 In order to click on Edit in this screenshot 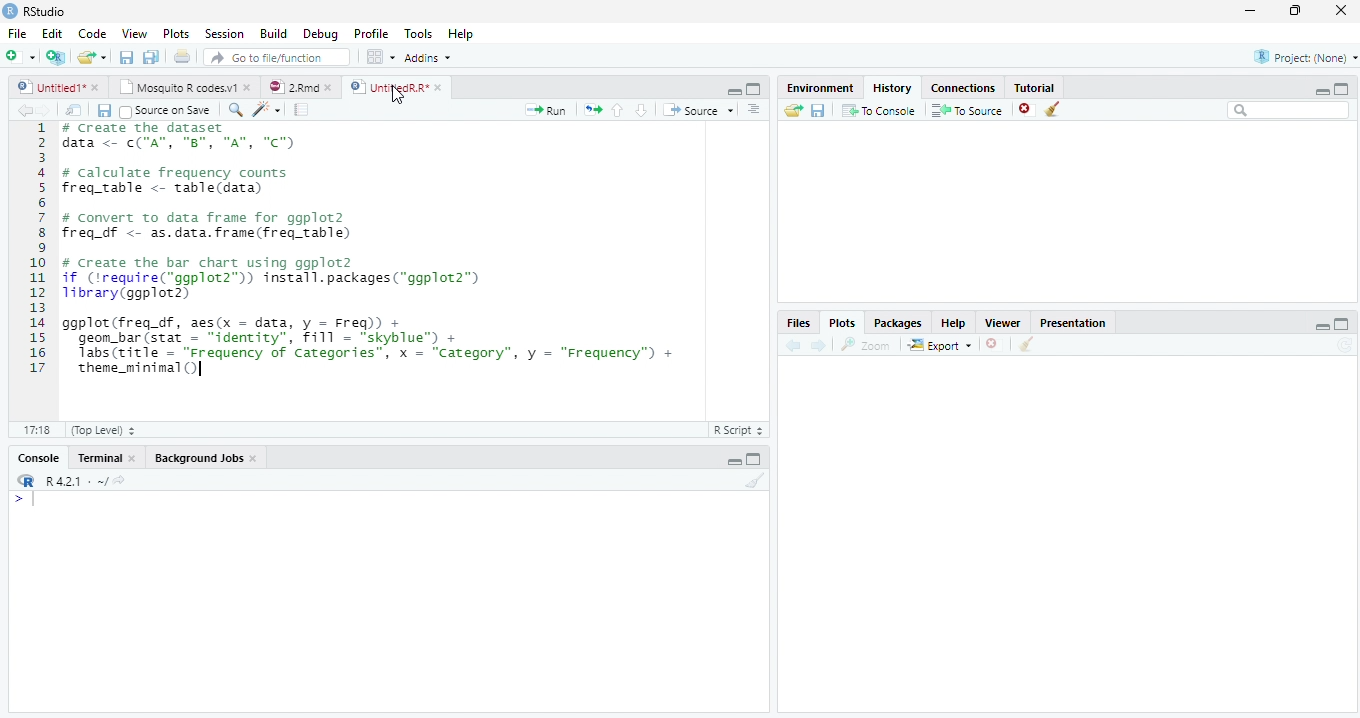, I will do `click(52, 35)`.